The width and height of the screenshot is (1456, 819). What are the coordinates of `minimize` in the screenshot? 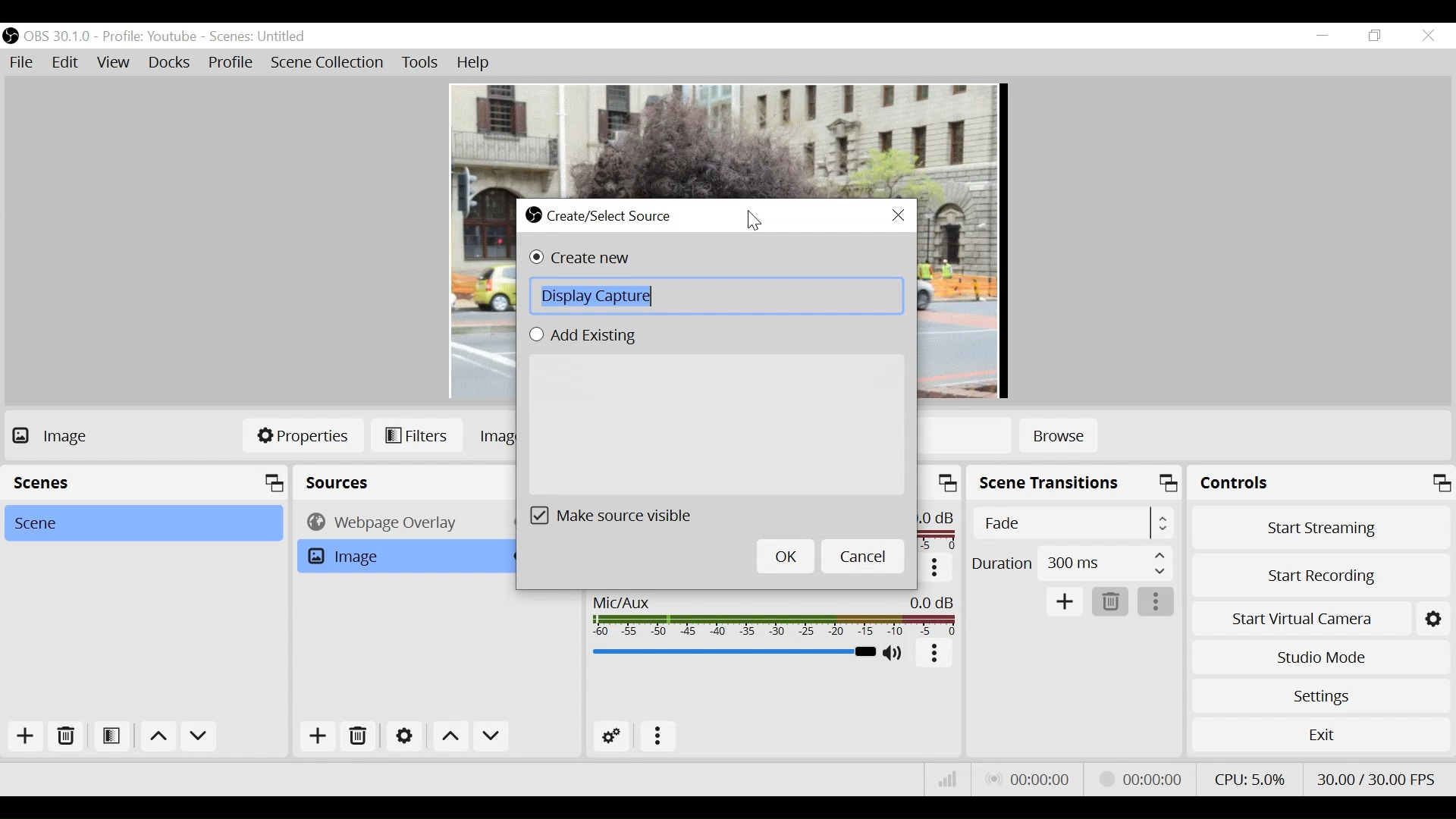 It's located at (1322, 36).